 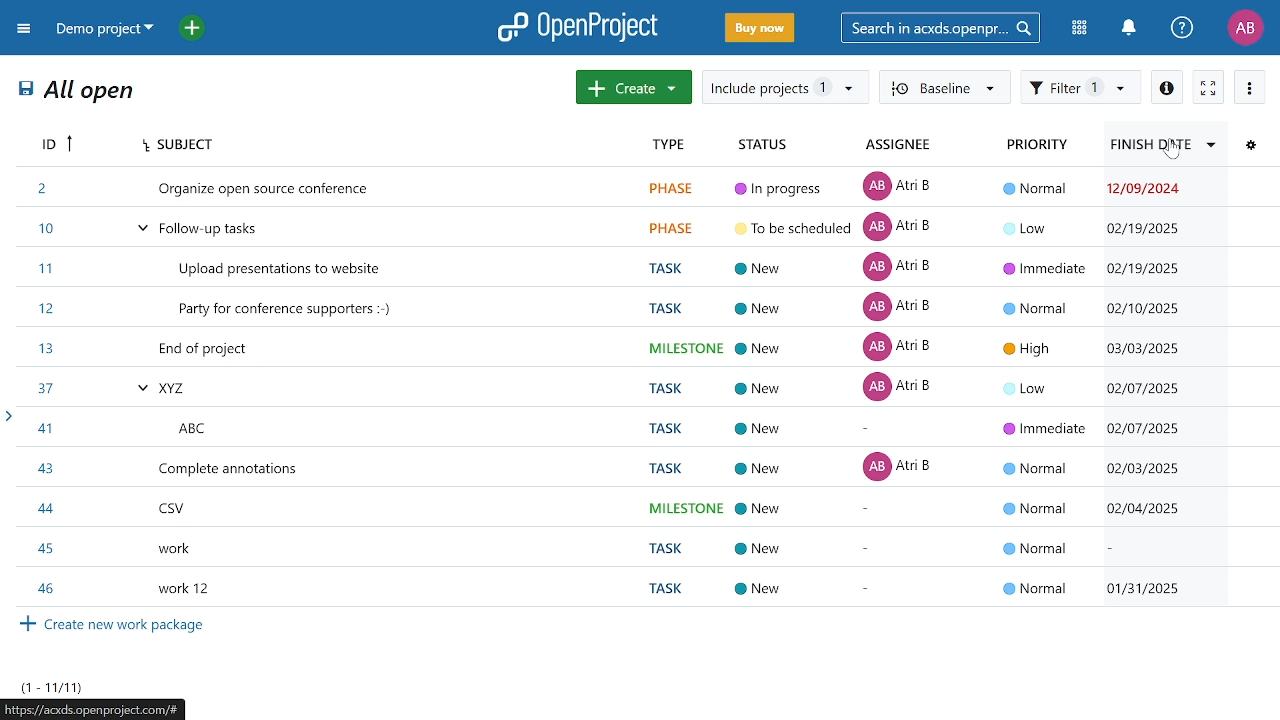 What do you see at coordinates (1081, 88) in the screenshot?
I see `filter` at bounding box center [1081, 88].